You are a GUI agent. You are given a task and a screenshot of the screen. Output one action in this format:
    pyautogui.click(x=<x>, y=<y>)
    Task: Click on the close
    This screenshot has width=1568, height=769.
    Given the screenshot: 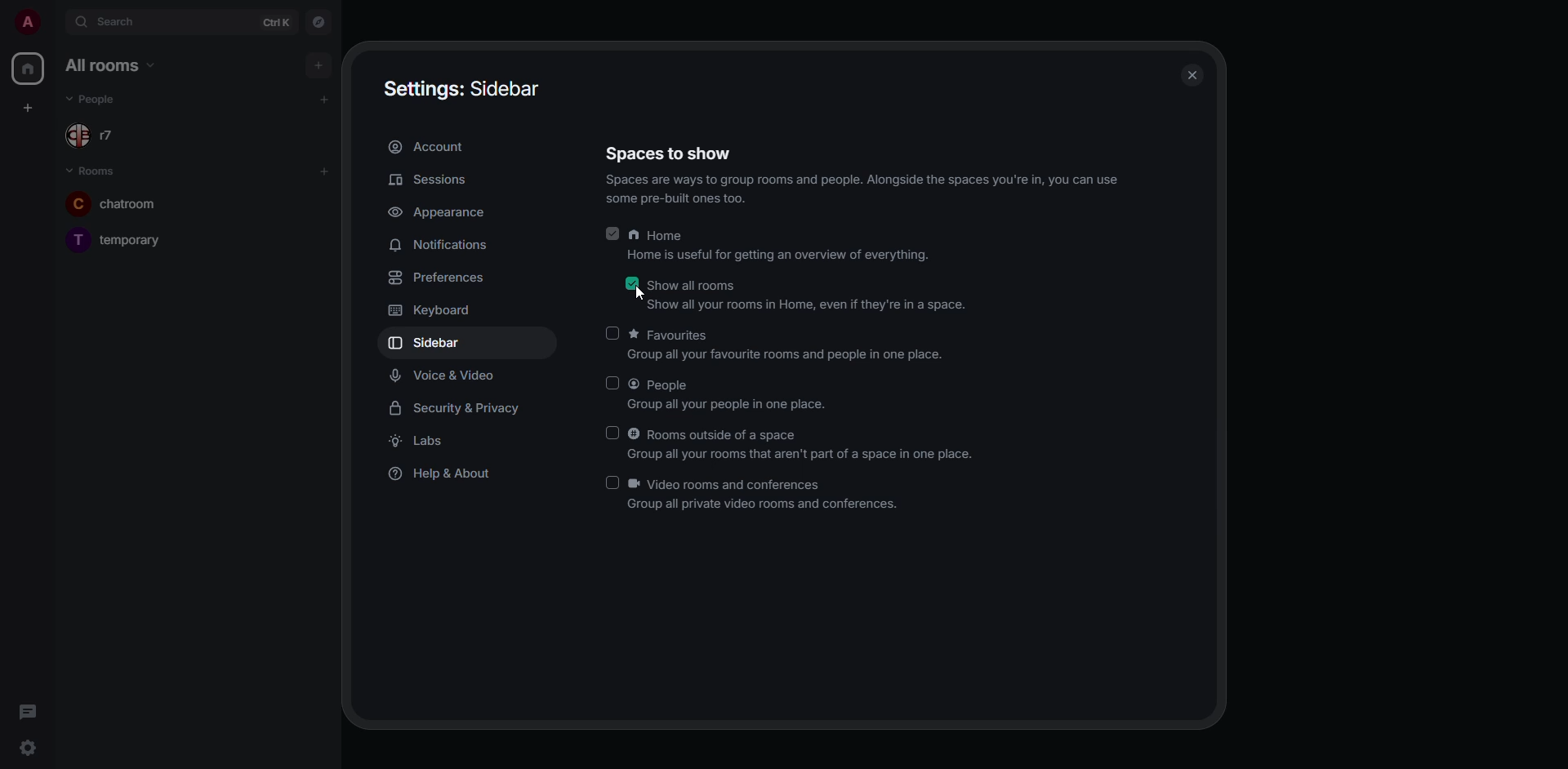 What is the action you would take?
    pyautogui.click(x=1188, y=77)
    